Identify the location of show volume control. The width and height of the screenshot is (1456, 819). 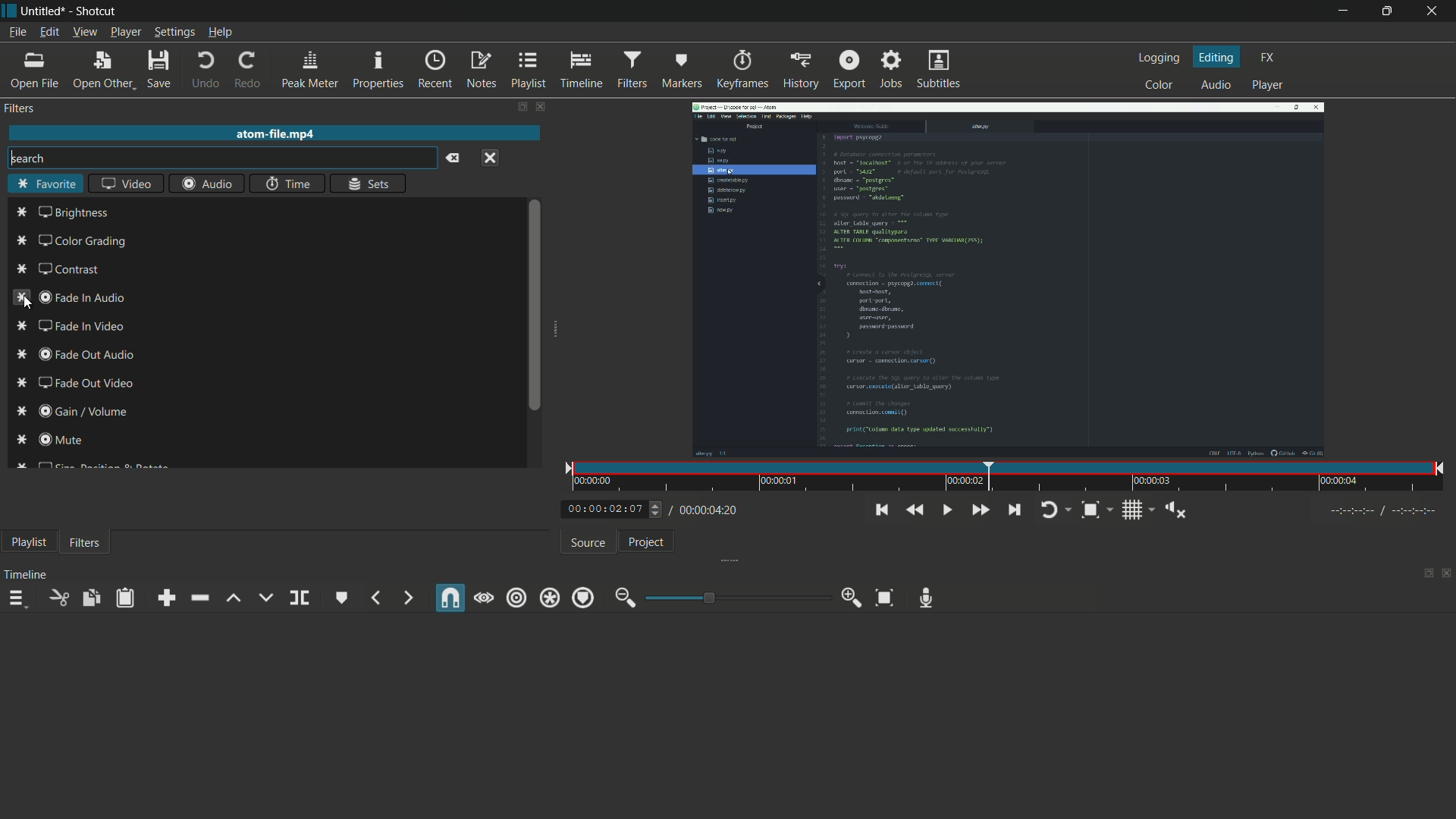
(1175, 510).